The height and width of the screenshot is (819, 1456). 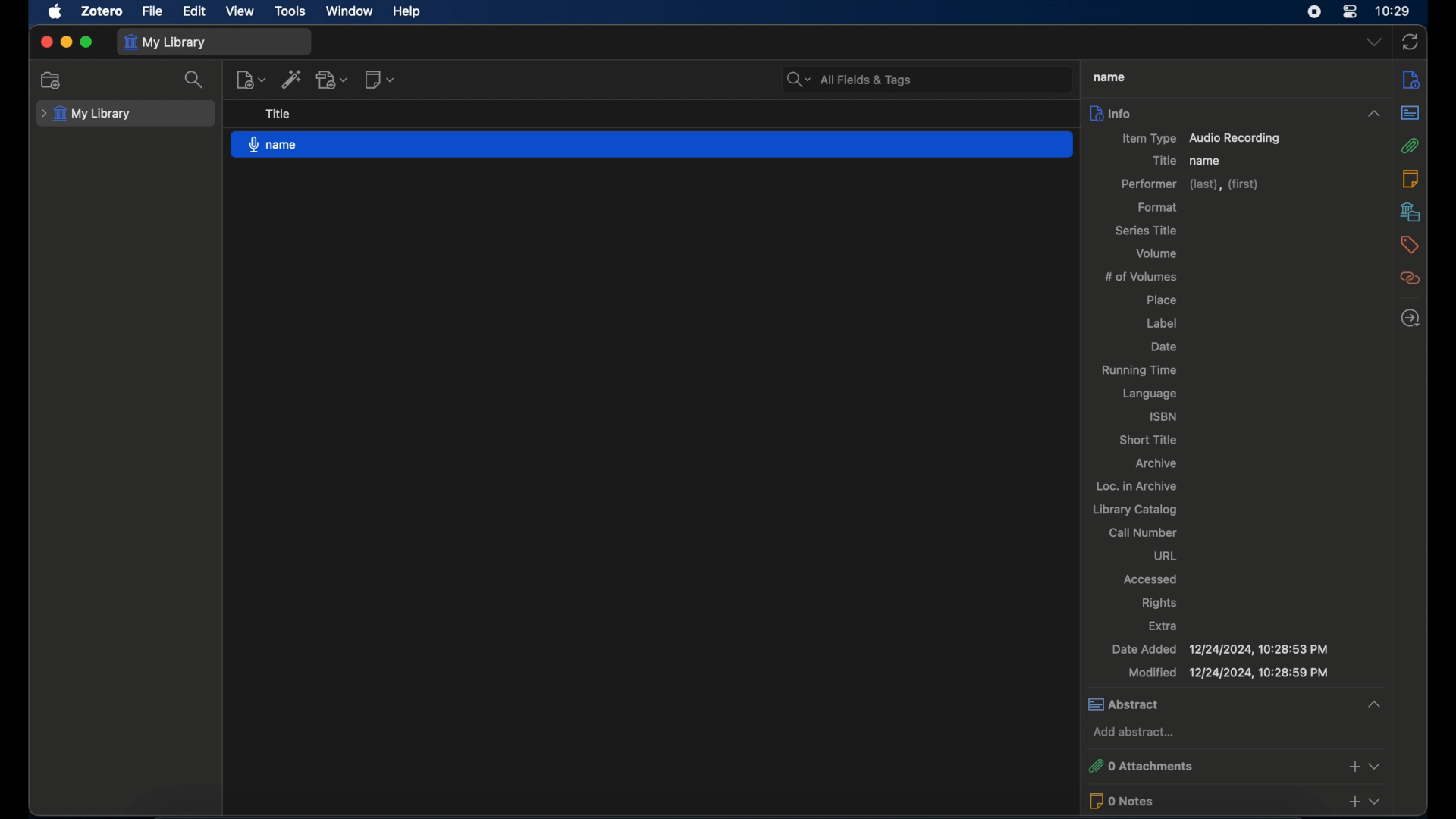 What do you see at coordinates (1147, 231) in the screenshot?
I see `series title` at bounding box center [1147, 231].